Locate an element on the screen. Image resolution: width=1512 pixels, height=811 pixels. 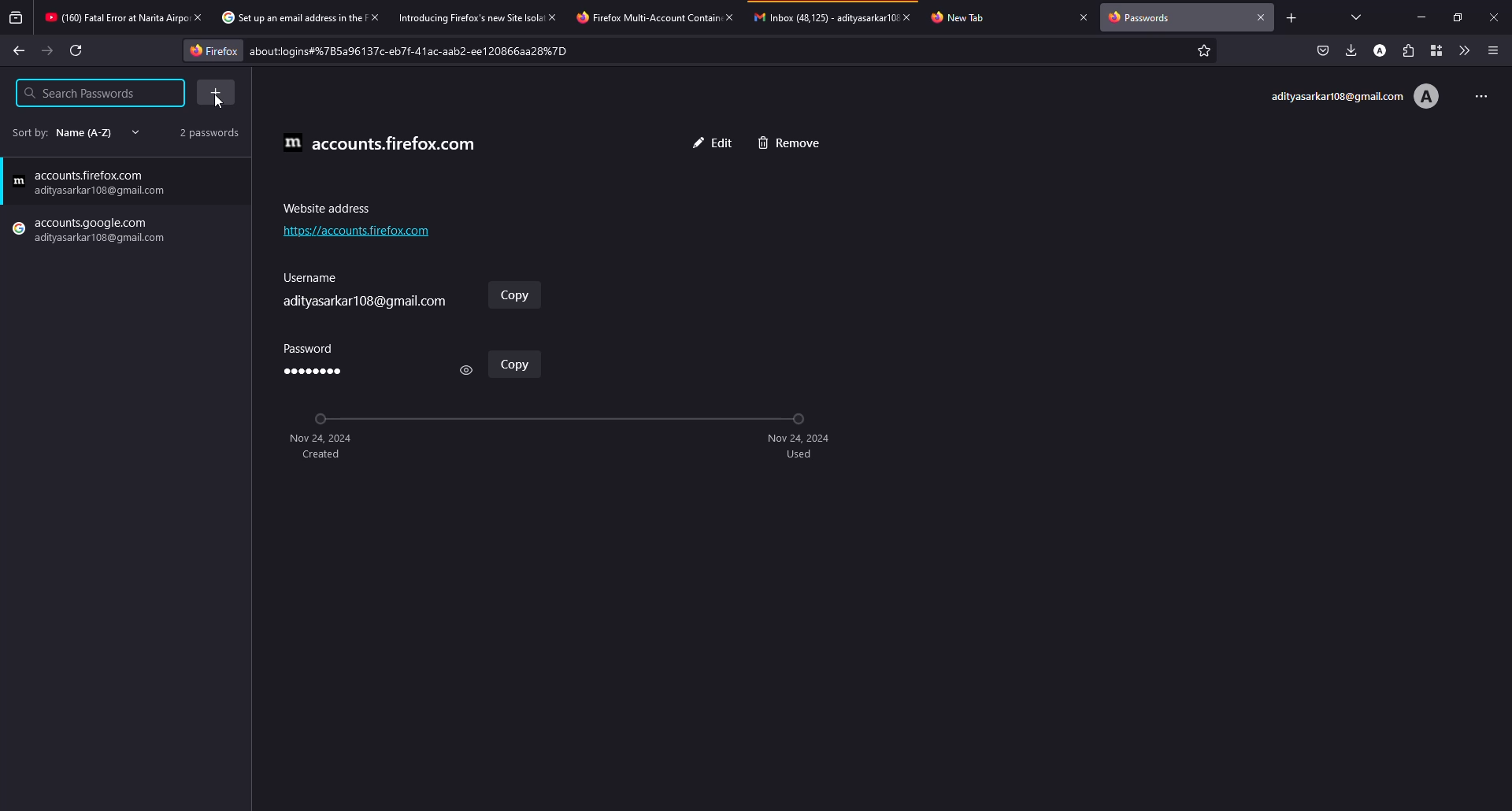
close is located at coordinates (1494, 17).